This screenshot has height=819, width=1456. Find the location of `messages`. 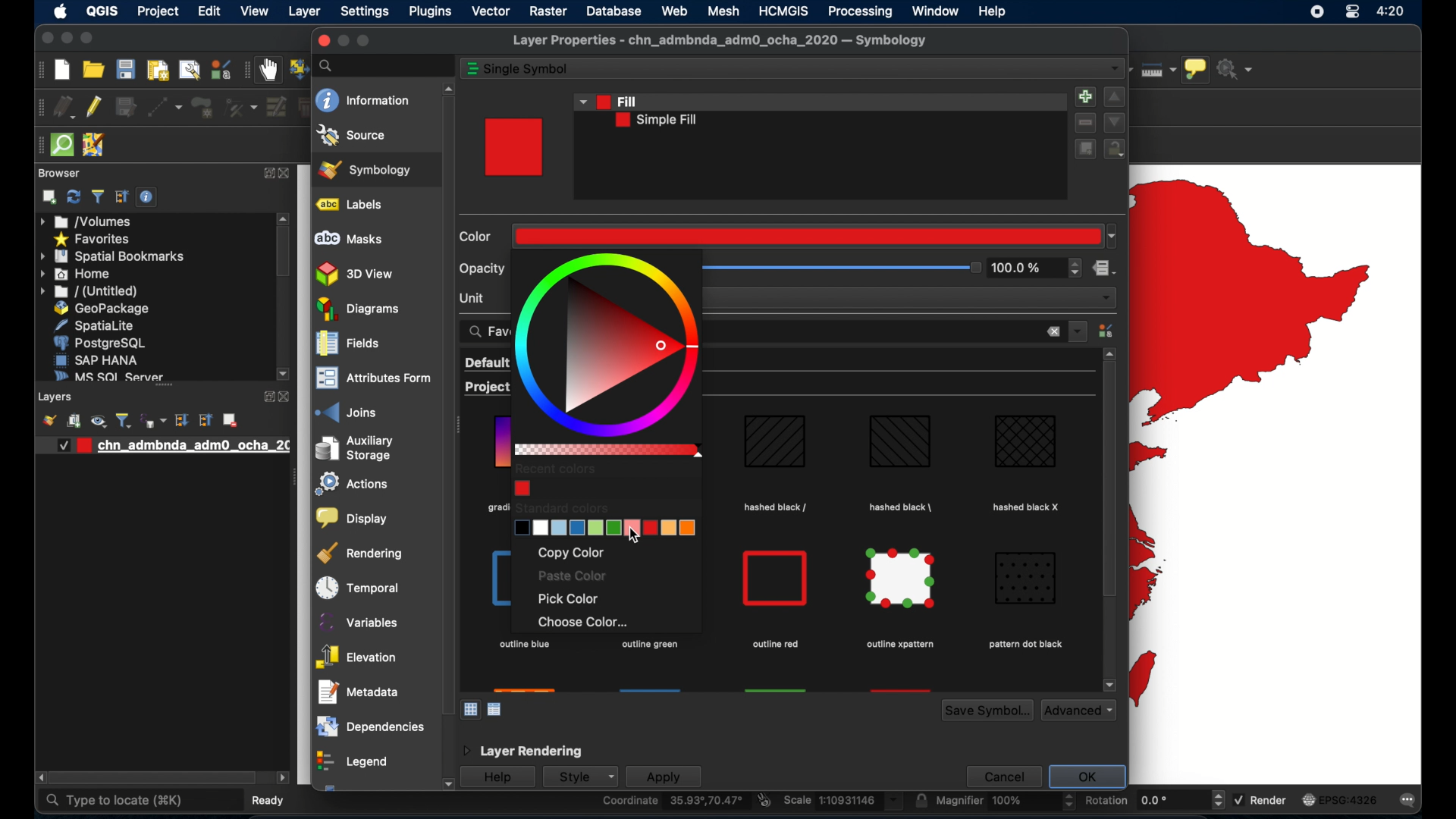

messages is located at coordinates (1410, 800).